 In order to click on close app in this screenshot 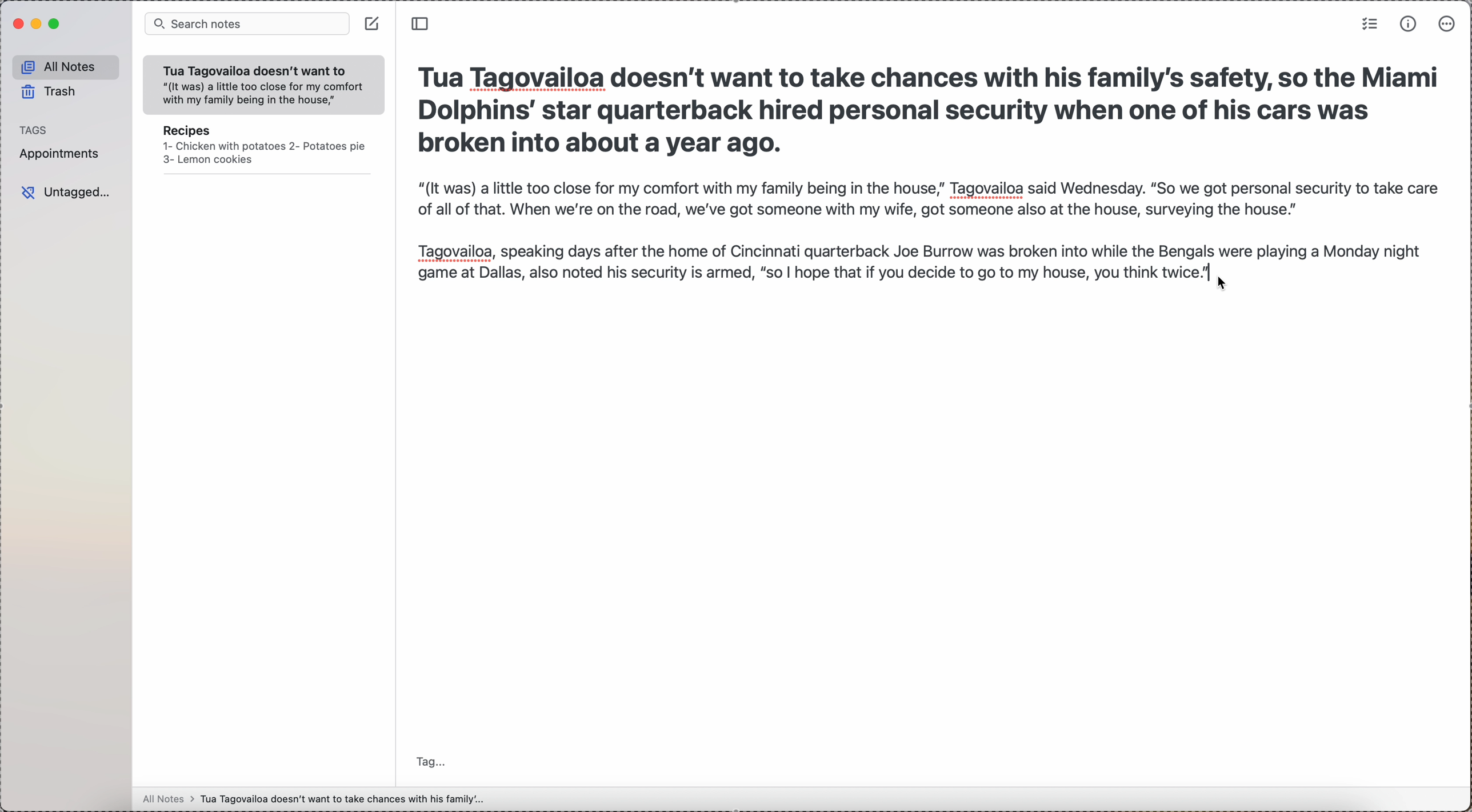, I will do `click(17, 25)`.